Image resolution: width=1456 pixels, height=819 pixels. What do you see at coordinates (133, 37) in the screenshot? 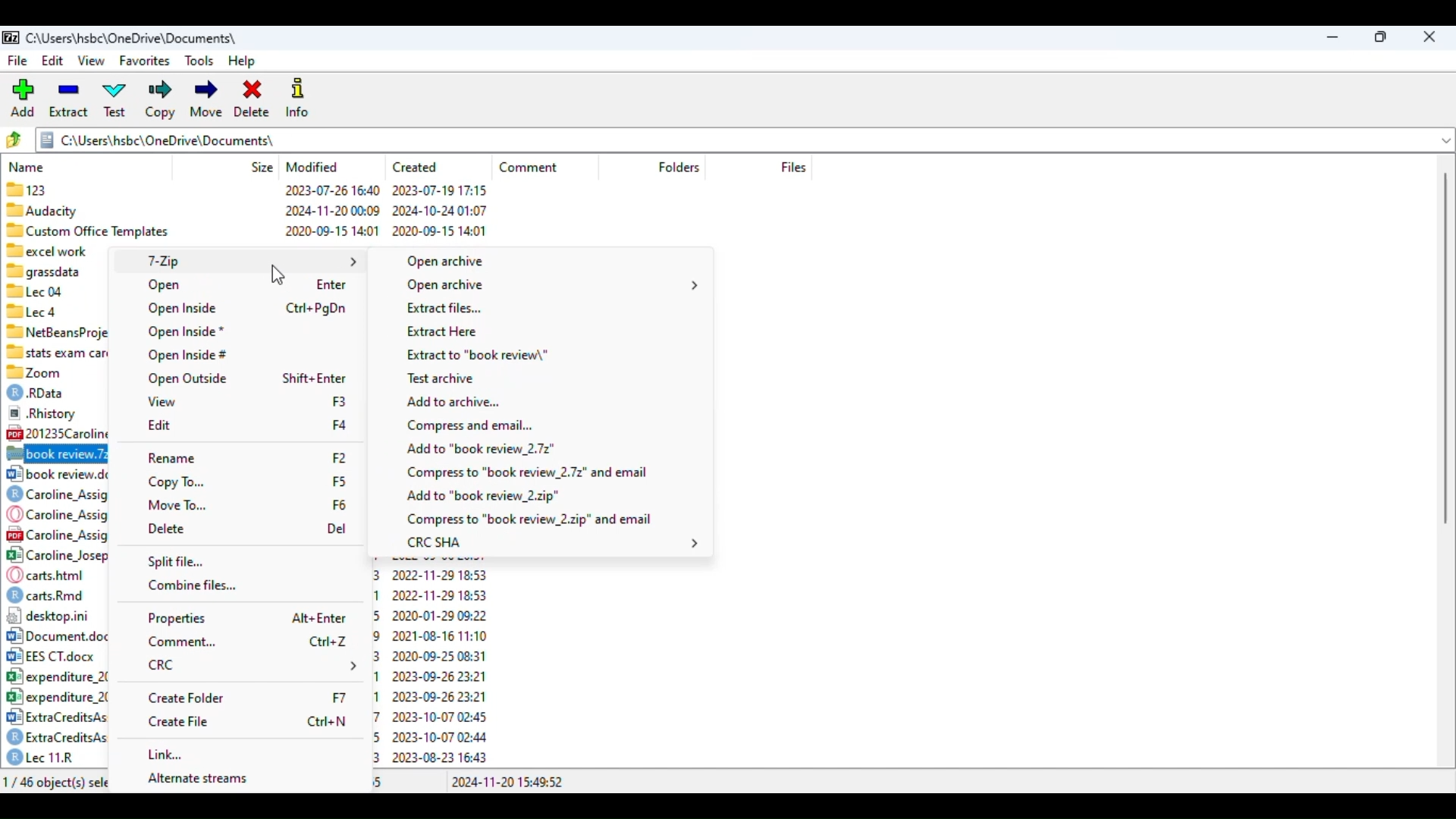
I see `folder name` at bounding box center [133, 37].